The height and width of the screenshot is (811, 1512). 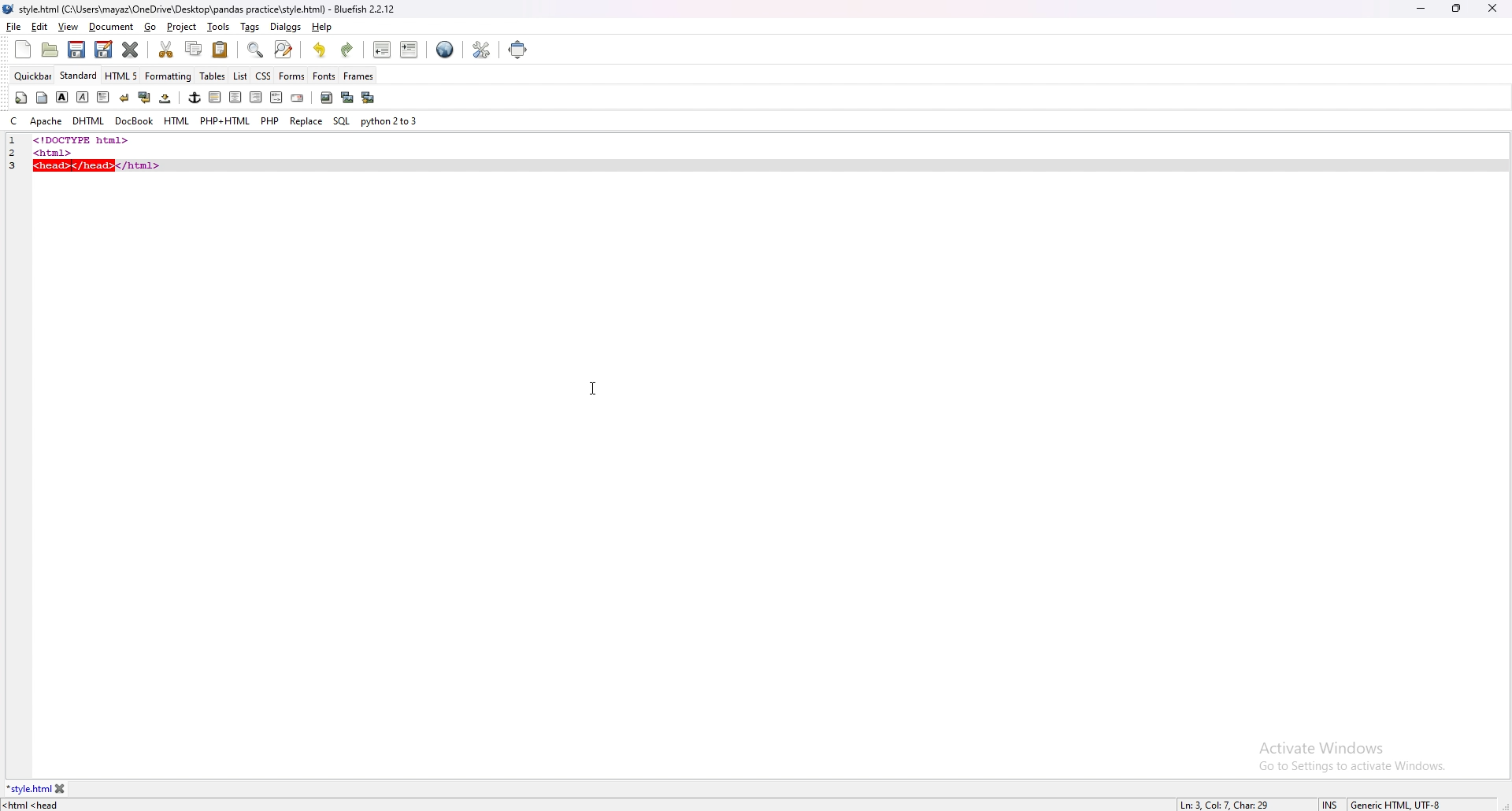 I want to click on code, so click(x=37, y=805).